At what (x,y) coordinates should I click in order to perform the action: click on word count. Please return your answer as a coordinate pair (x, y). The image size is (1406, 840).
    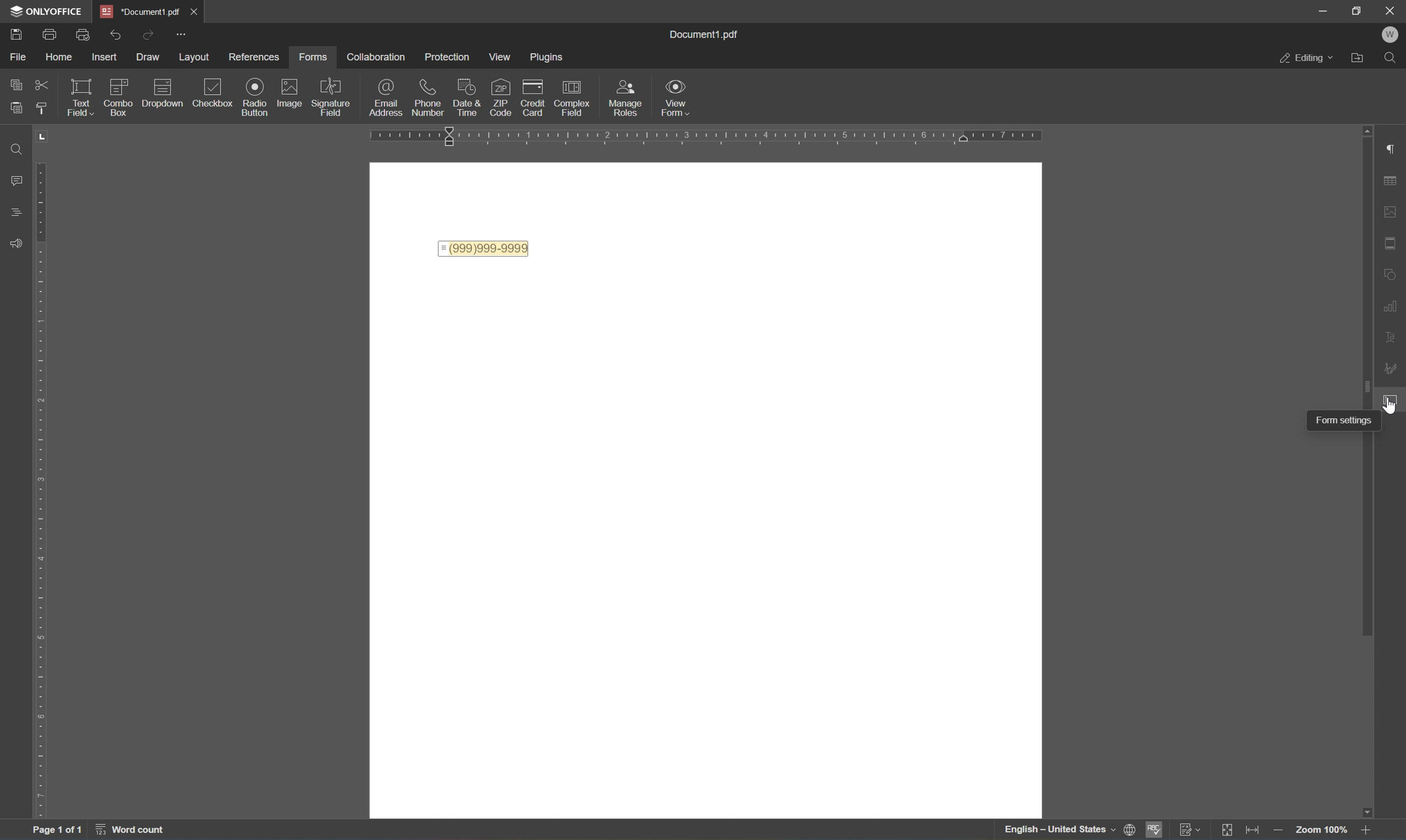
    Looking at the image, I should click on (134, 829).